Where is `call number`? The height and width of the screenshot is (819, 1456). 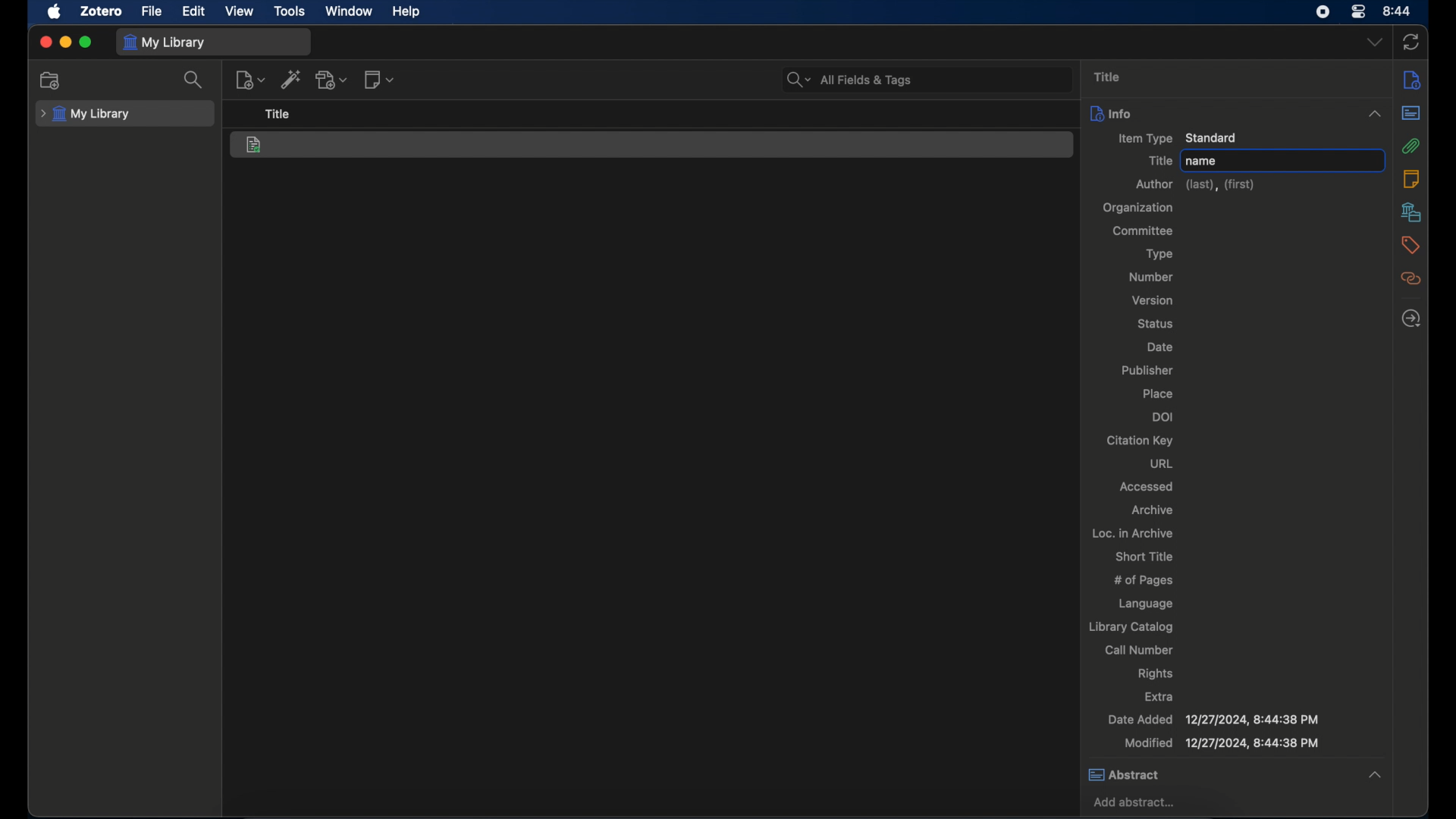 call number is located at coordinates (1139, 651).